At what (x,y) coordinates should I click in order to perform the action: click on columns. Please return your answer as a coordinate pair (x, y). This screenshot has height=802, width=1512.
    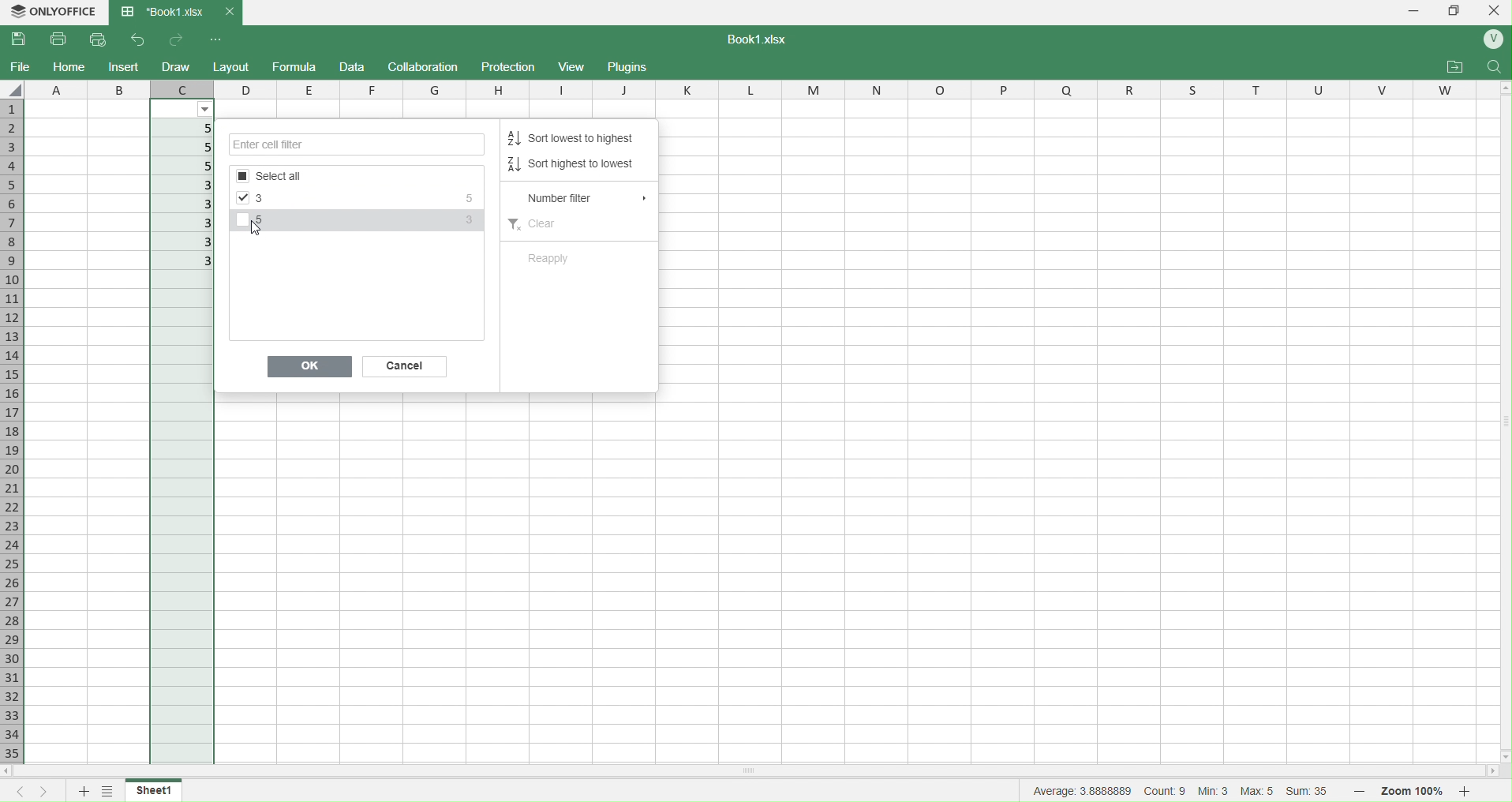
    Looking at the image, I should click on (849, 88).